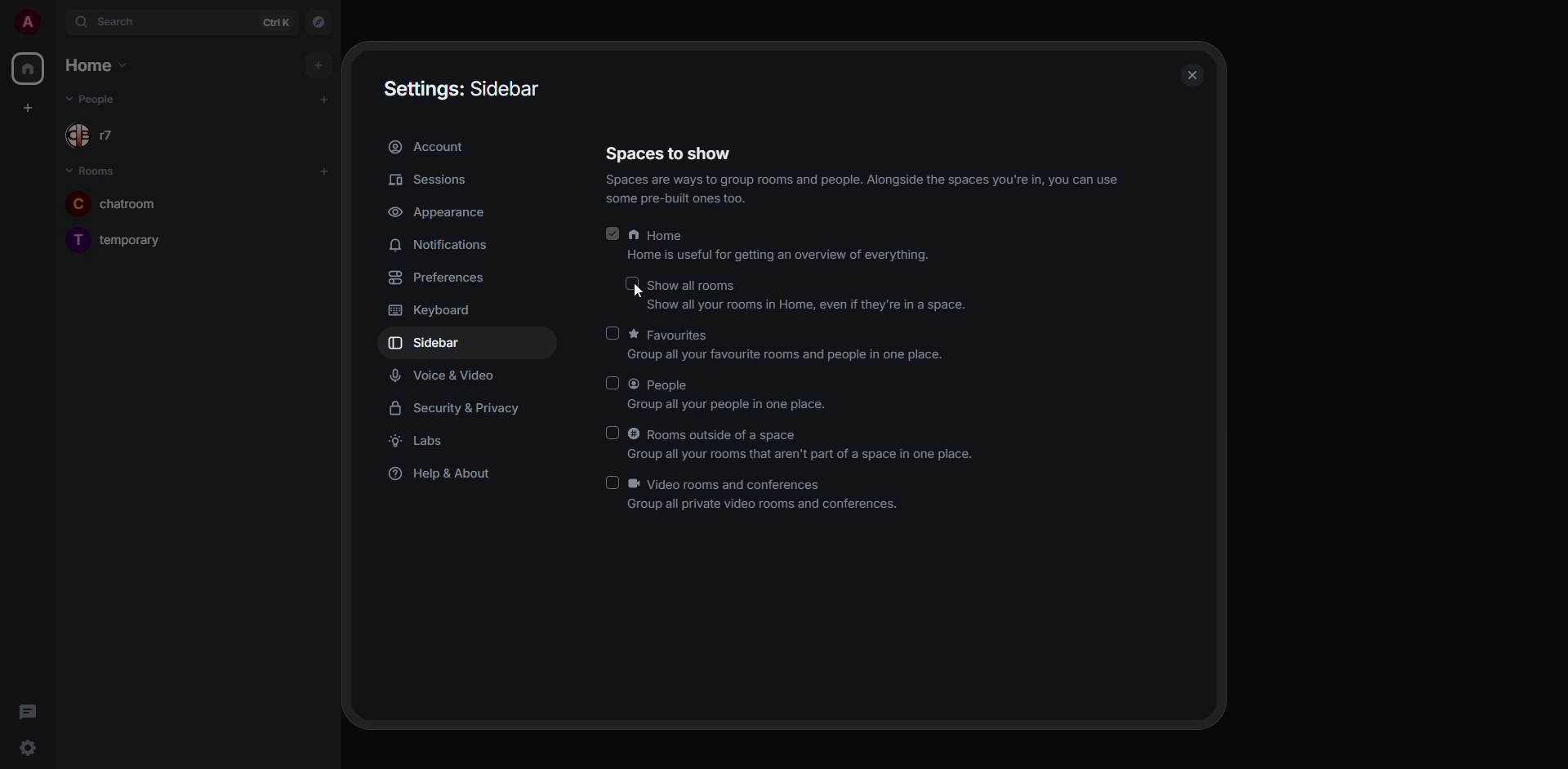 Image resolution: width=1568 pixels, height=769 pixels. What do you see at coordinates (443, 376) in the screenshot?
I see `voice & video` at bounding box center [443, 376].